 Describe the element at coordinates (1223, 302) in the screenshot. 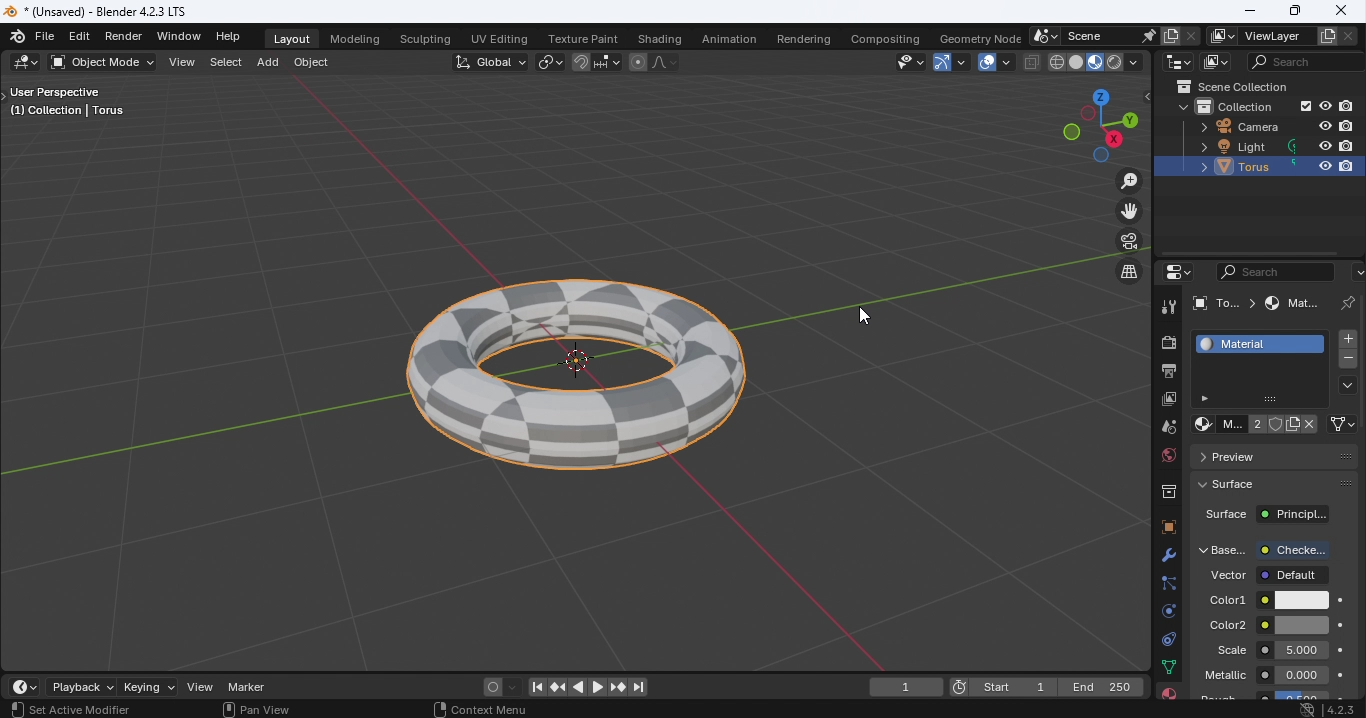

I see `To` at that location.